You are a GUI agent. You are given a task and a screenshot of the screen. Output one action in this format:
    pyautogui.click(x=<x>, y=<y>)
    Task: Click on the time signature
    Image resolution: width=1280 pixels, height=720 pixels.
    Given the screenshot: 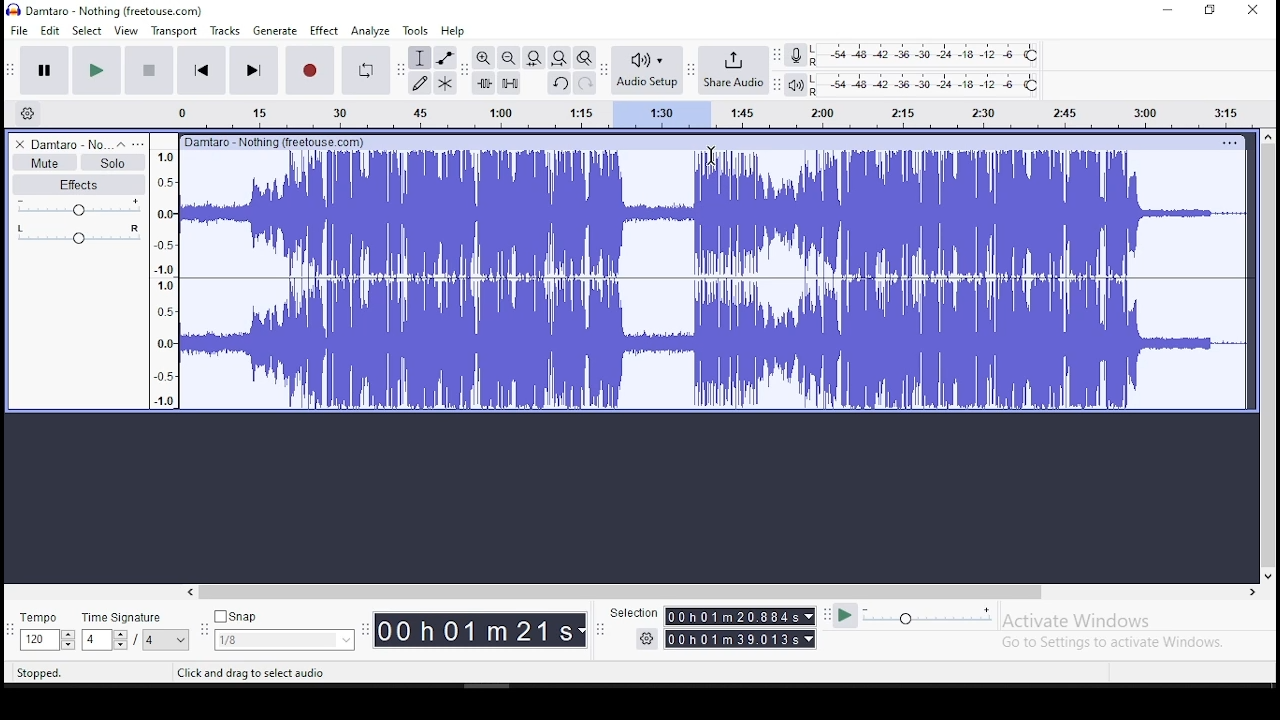 What is the action you would take?
    pyautogui.click(x=135, y=617)
    